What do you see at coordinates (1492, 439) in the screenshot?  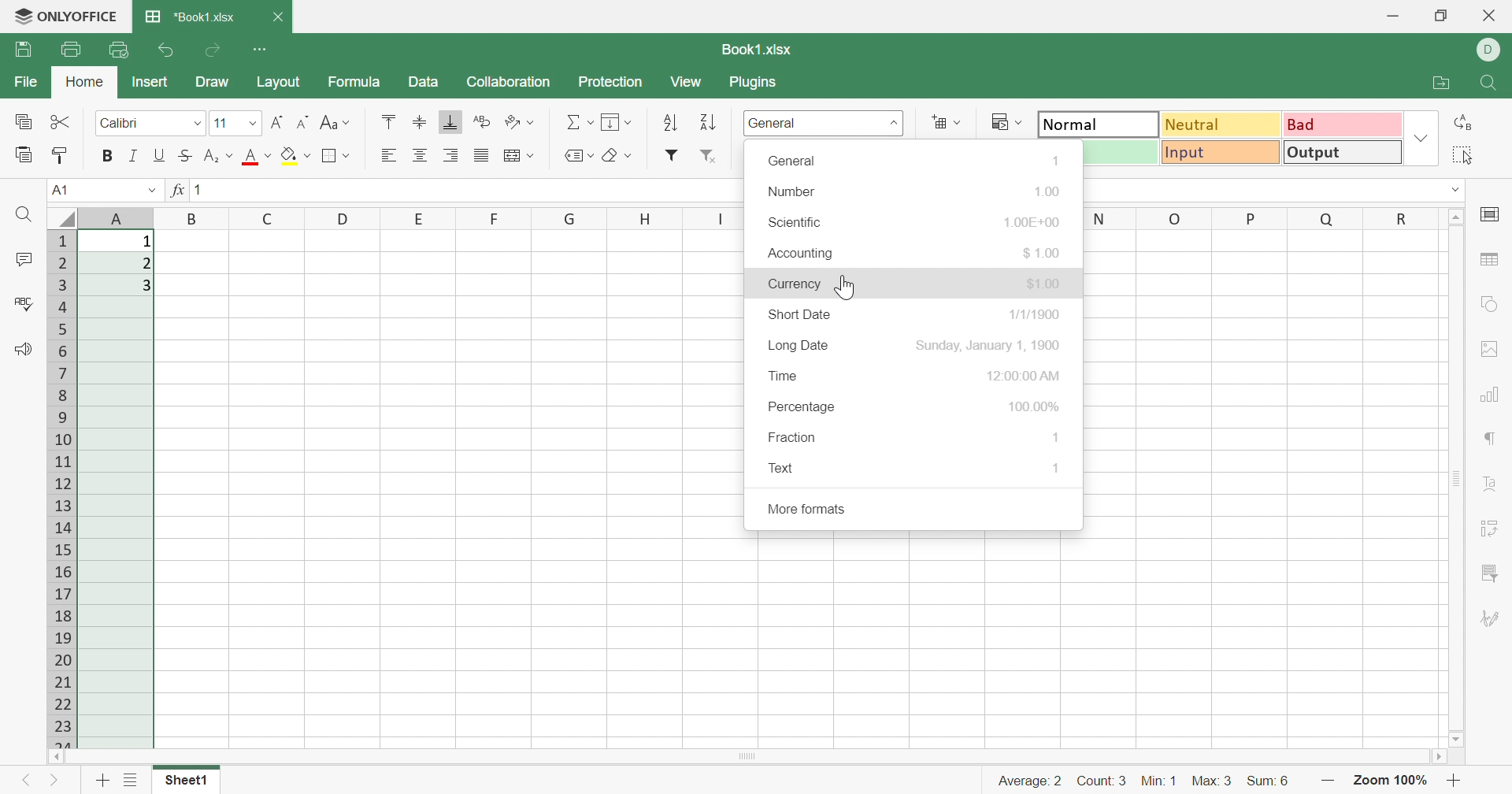 I see `Paragraph settings` at bounding box center [1492, 439].